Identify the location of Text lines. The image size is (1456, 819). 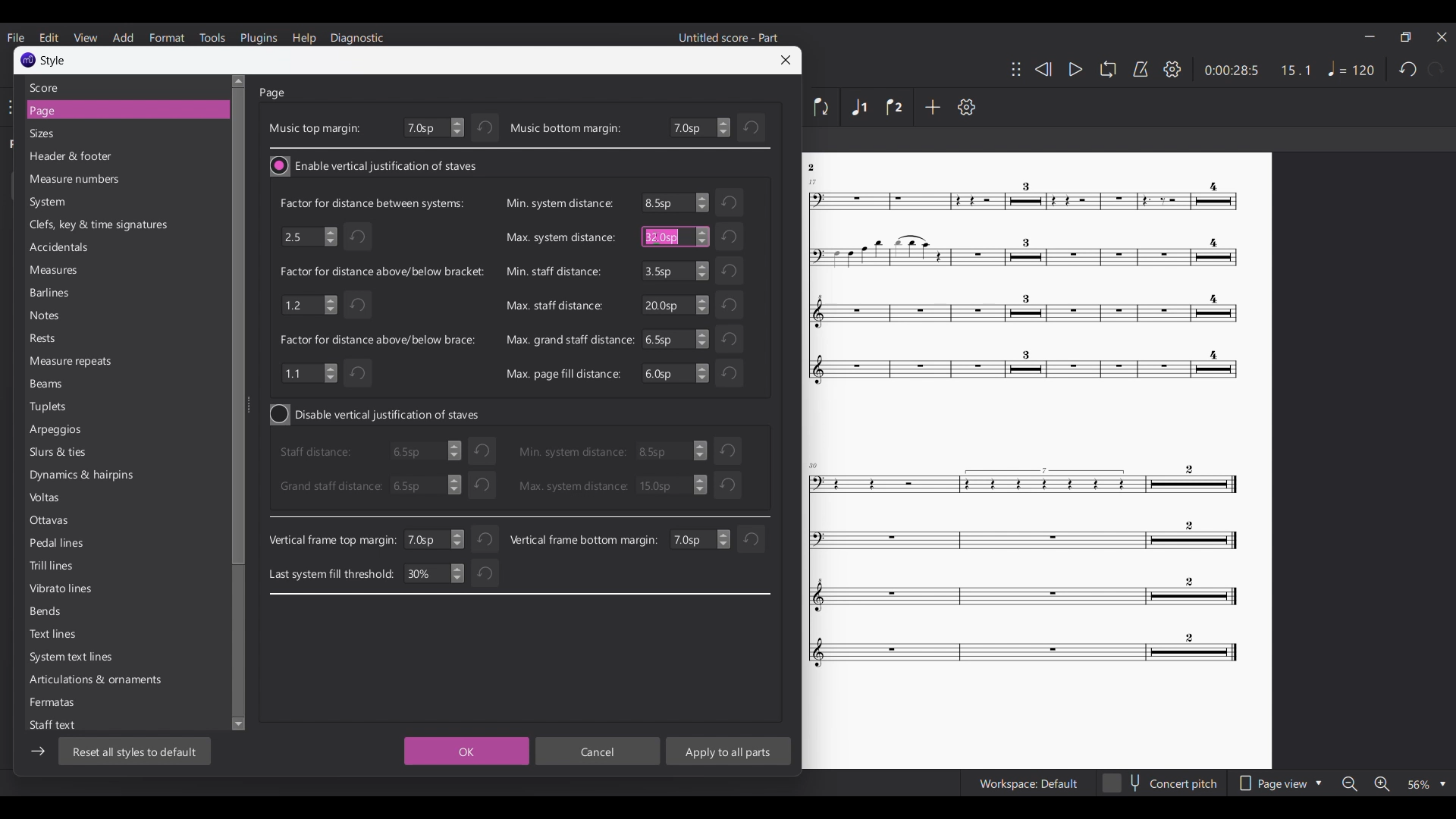
(79, 635).